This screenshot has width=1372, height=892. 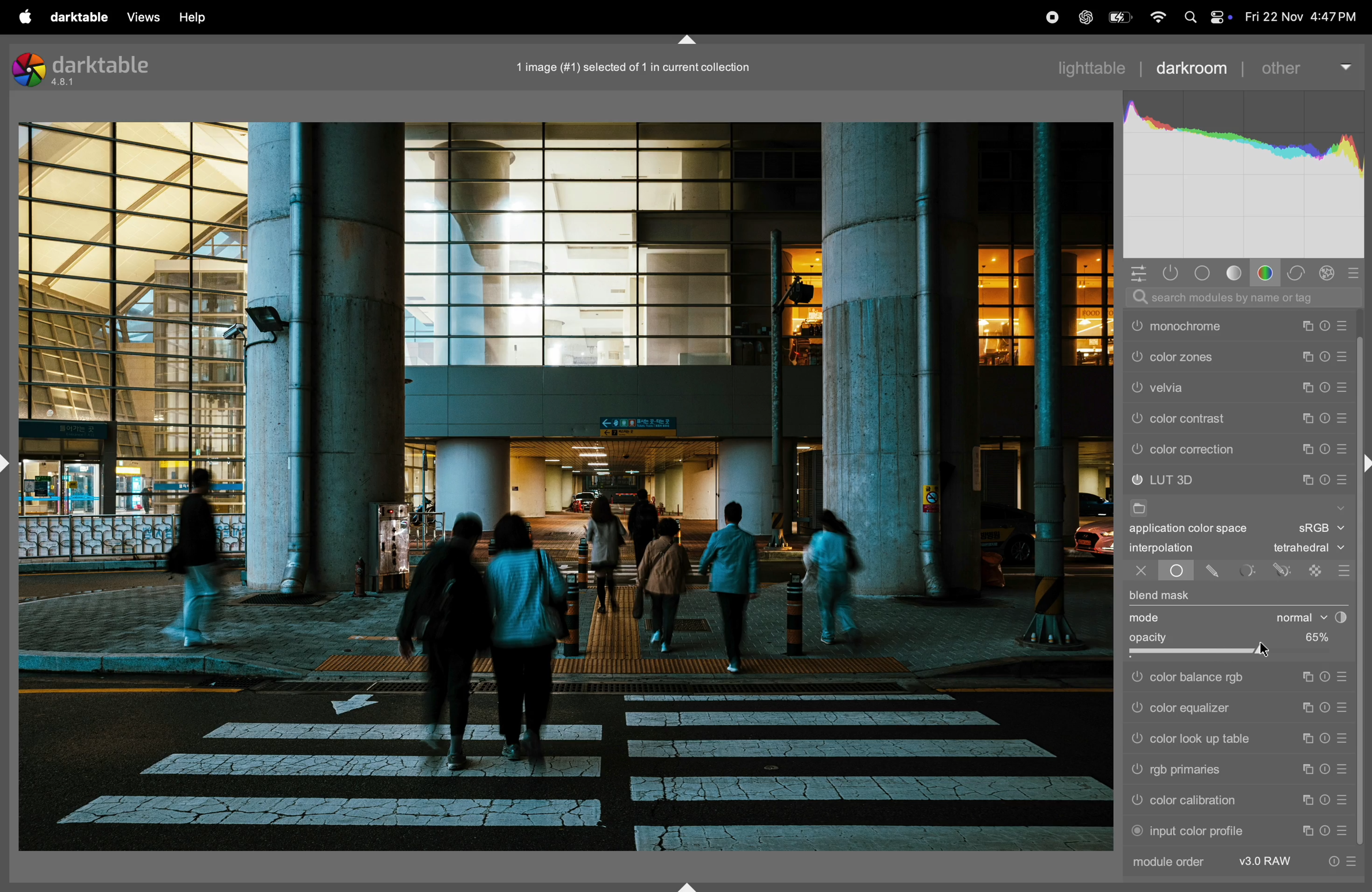 What do you see at coordinates (1136, 357) in the screenshot?
I see `monochrome is switched off` at bounding box center [1136, 357].